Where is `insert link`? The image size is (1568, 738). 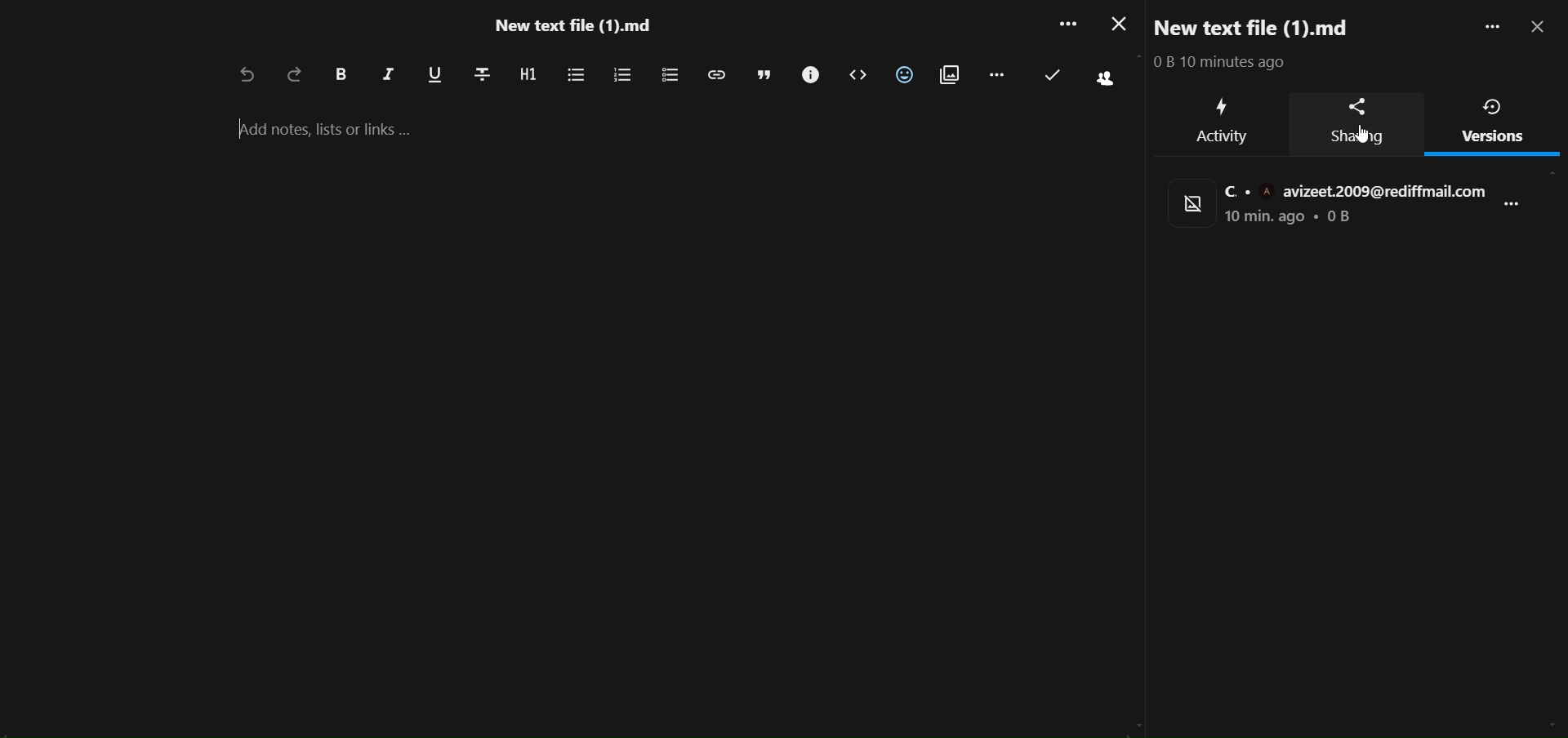 insert link is located at coordinates (715, 74).